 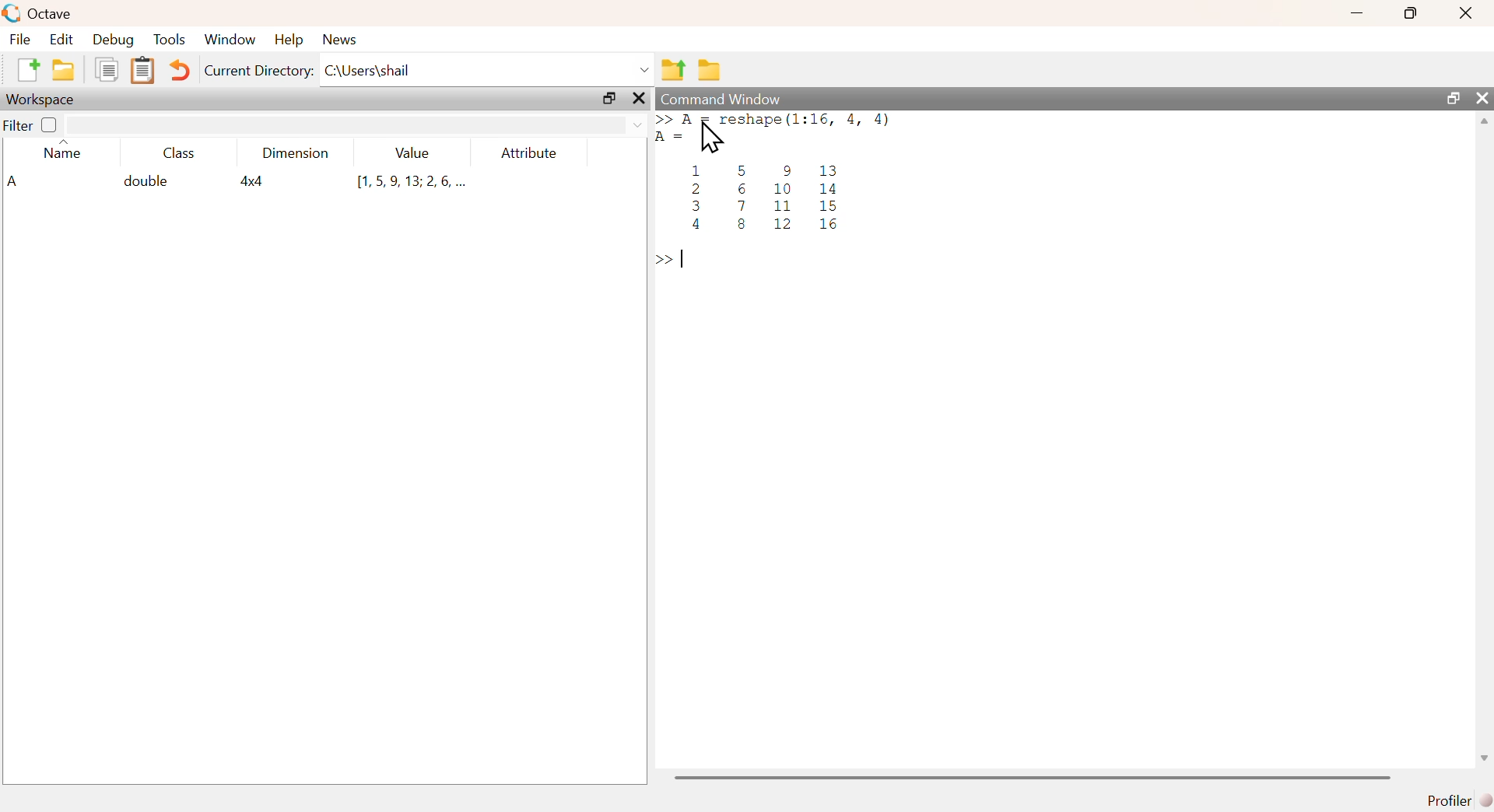 What do you see at coordinates (710, 72) in the screenshot?
I see `browse directories` at bounding box center [710, 72].